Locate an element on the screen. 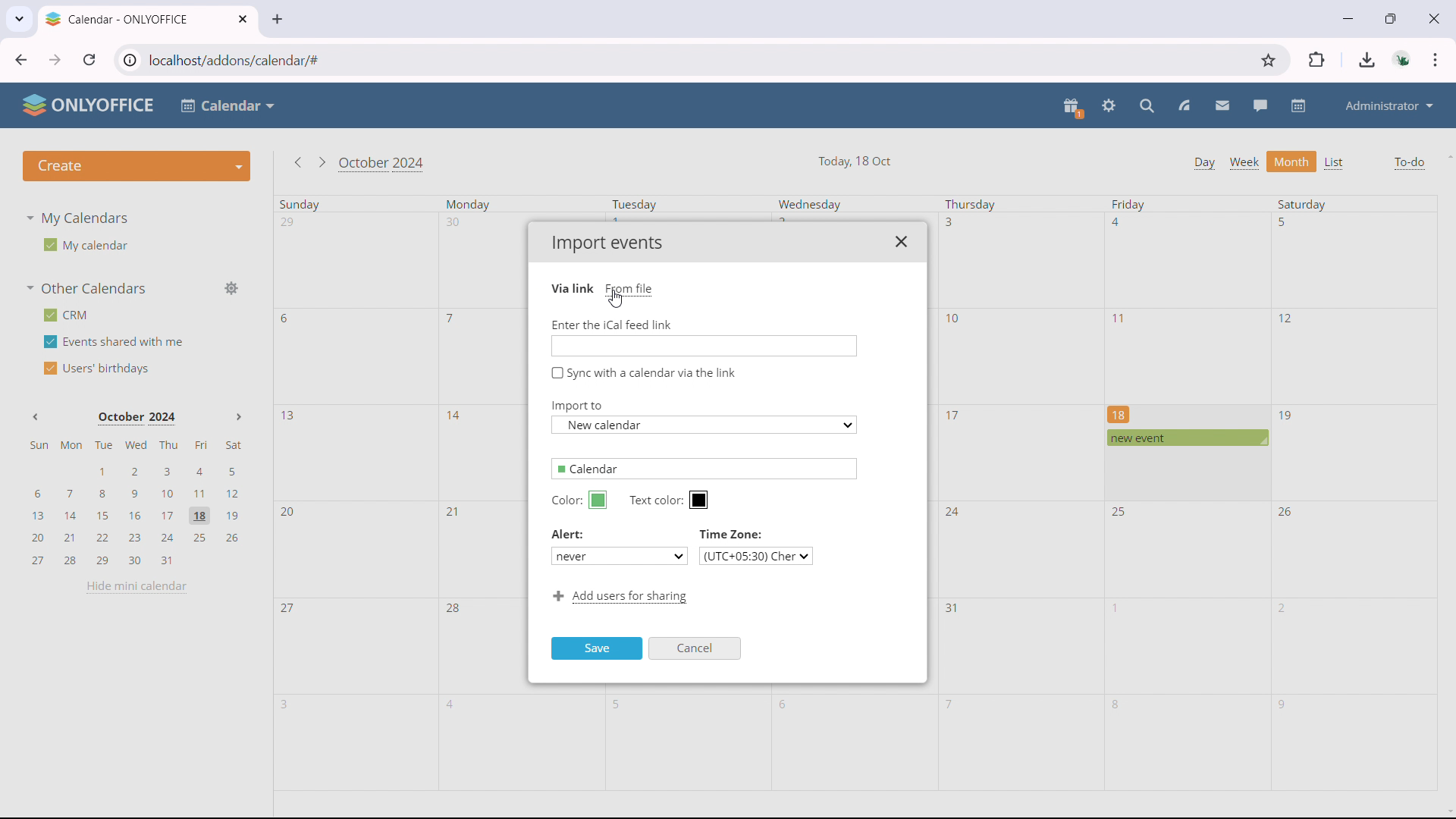 This screenshot has width=1456, height=819. 10 is located at coordinates (955, 318).